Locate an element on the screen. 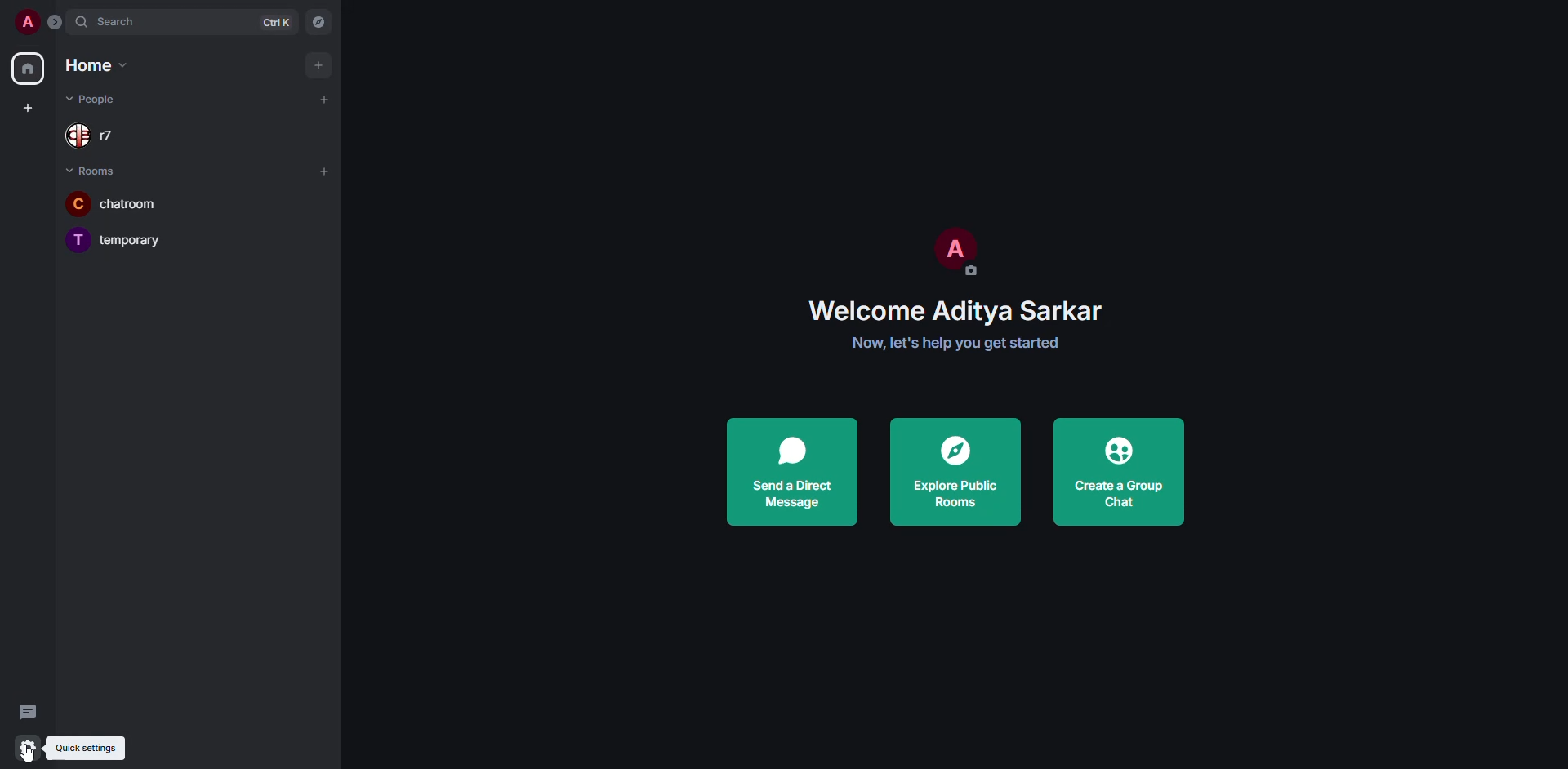  Now, let's help you get started is located at coordinates (956, 344).